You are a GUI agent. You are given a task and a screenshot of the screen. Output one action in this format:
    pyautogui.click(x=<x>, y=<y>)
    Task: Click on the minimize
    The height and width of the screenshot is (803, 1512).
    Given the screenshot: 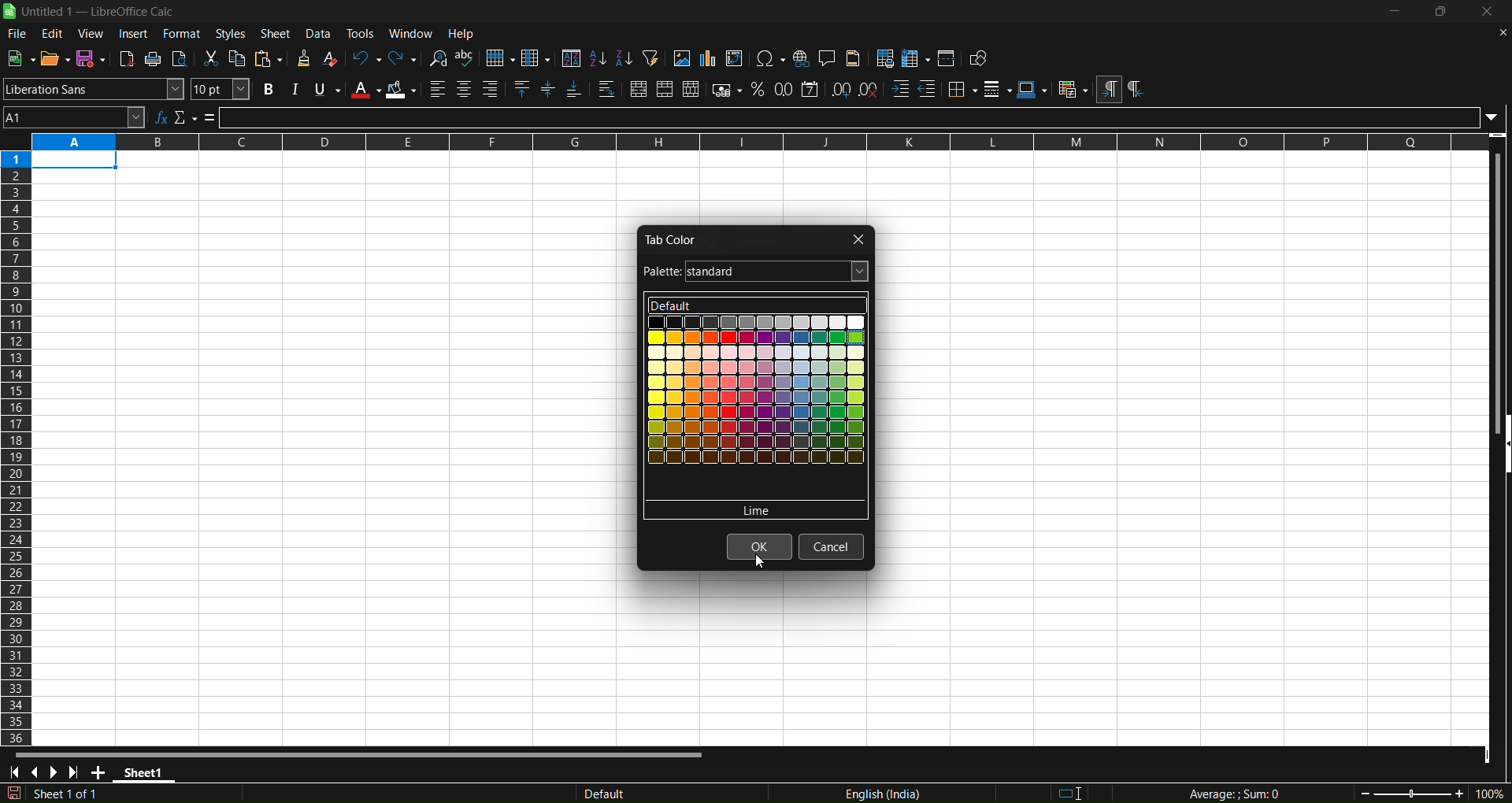 What is the action you would take?
    pyautogui.click(x=1395, y=11)
    